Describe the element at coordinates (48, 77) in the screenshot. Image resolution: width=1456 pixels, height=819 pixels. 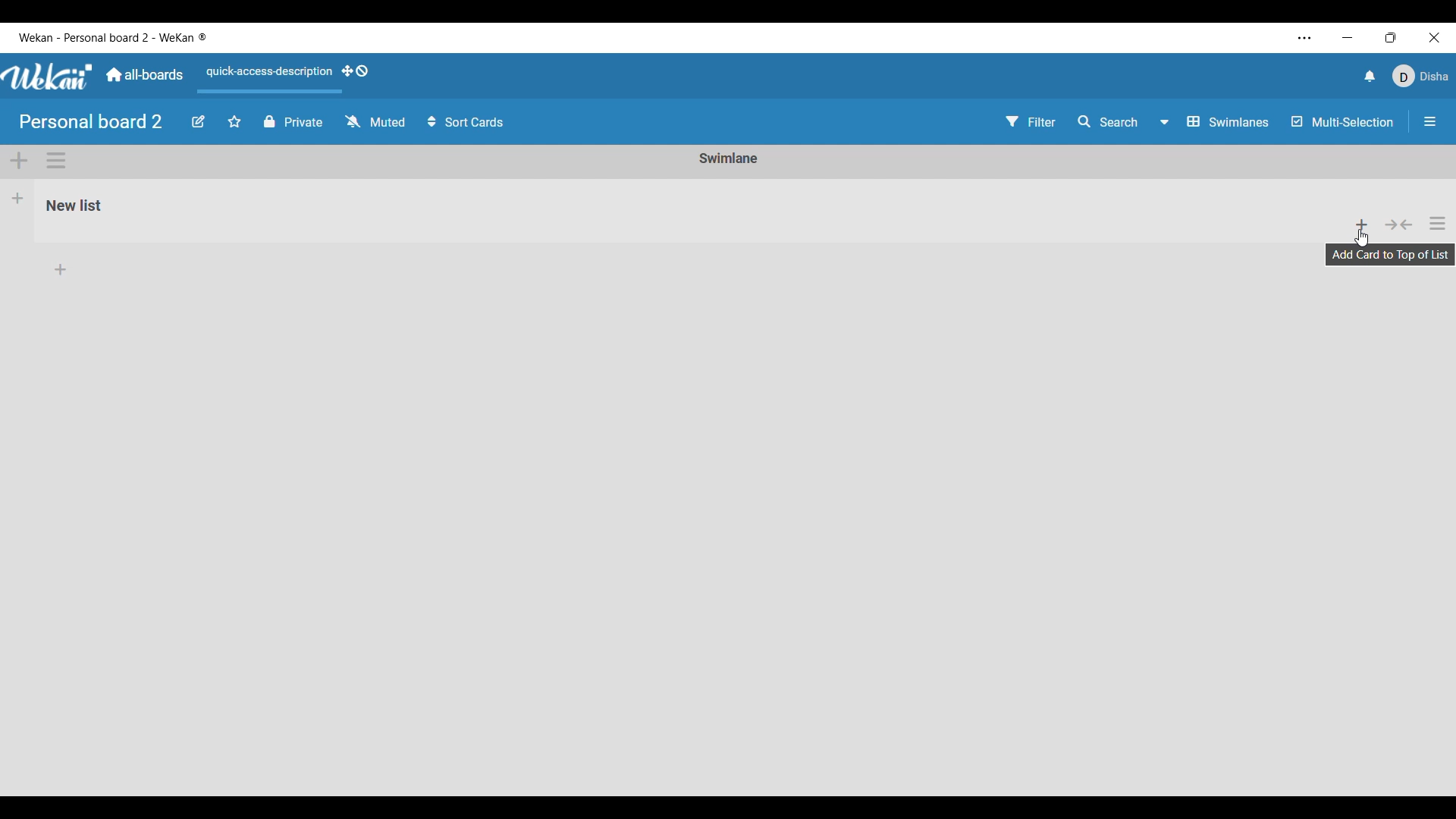
I see `Software logo` at that location.